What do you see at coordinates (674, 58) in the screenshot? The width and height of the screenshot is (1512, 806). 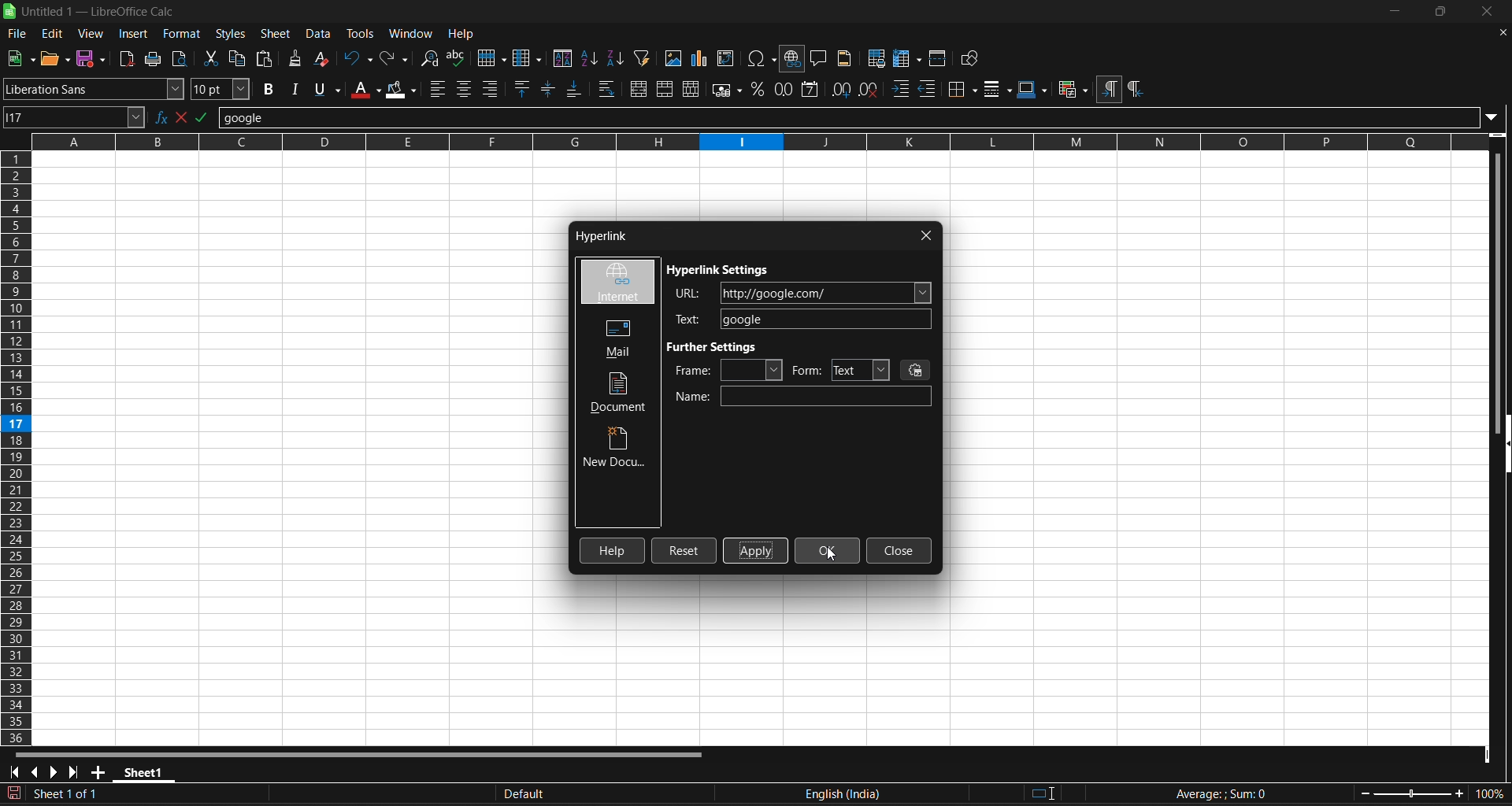 I see `insert image` at bounding box center [674, 58].